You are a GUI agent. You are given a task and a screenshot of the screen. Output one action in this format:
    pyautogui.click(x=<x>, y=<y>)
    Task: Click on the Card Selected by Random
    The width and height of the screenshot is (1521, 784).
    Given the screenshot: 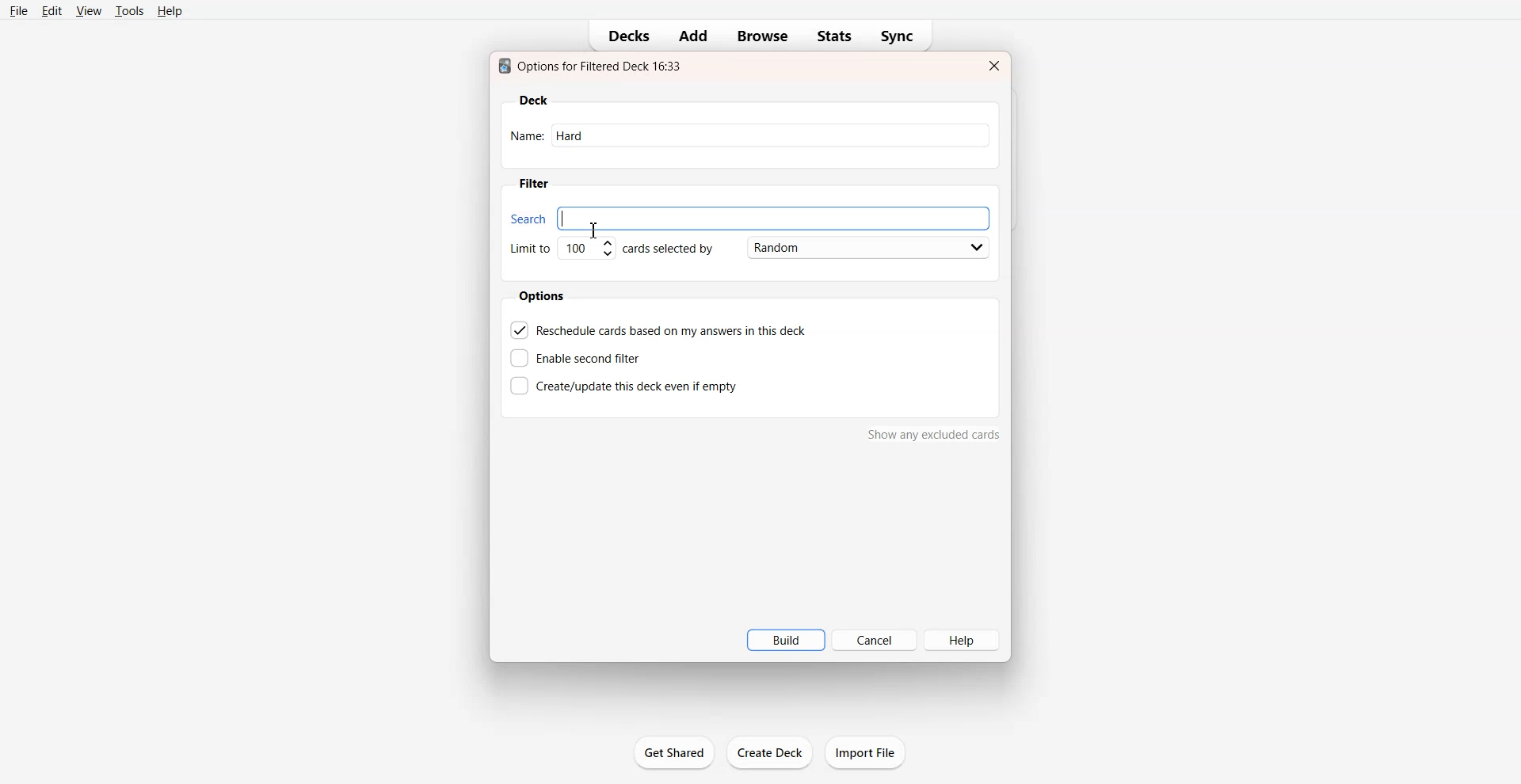 What is the action you would take?
    pyautogui.click(x=810, y=247)
    